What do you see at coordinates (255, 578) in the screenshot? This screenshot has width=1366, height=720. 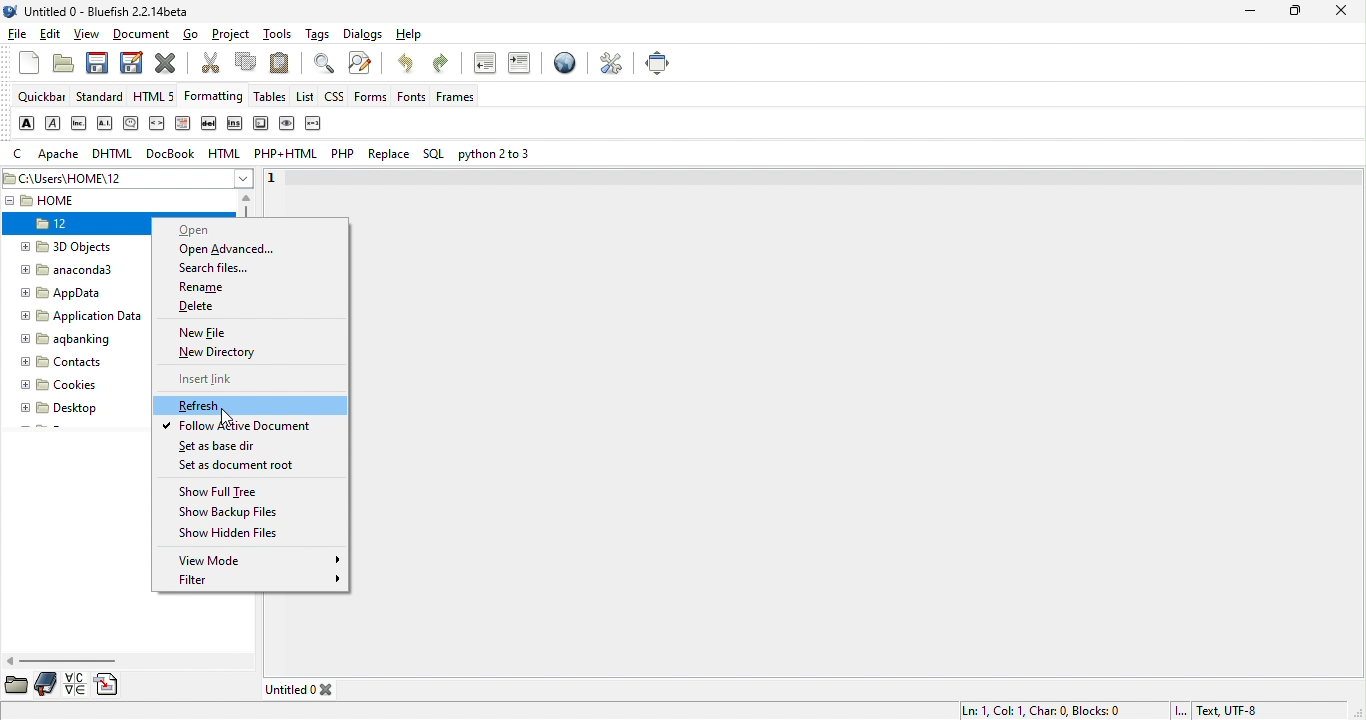 I see `filter` at bounding box center [255, 578].